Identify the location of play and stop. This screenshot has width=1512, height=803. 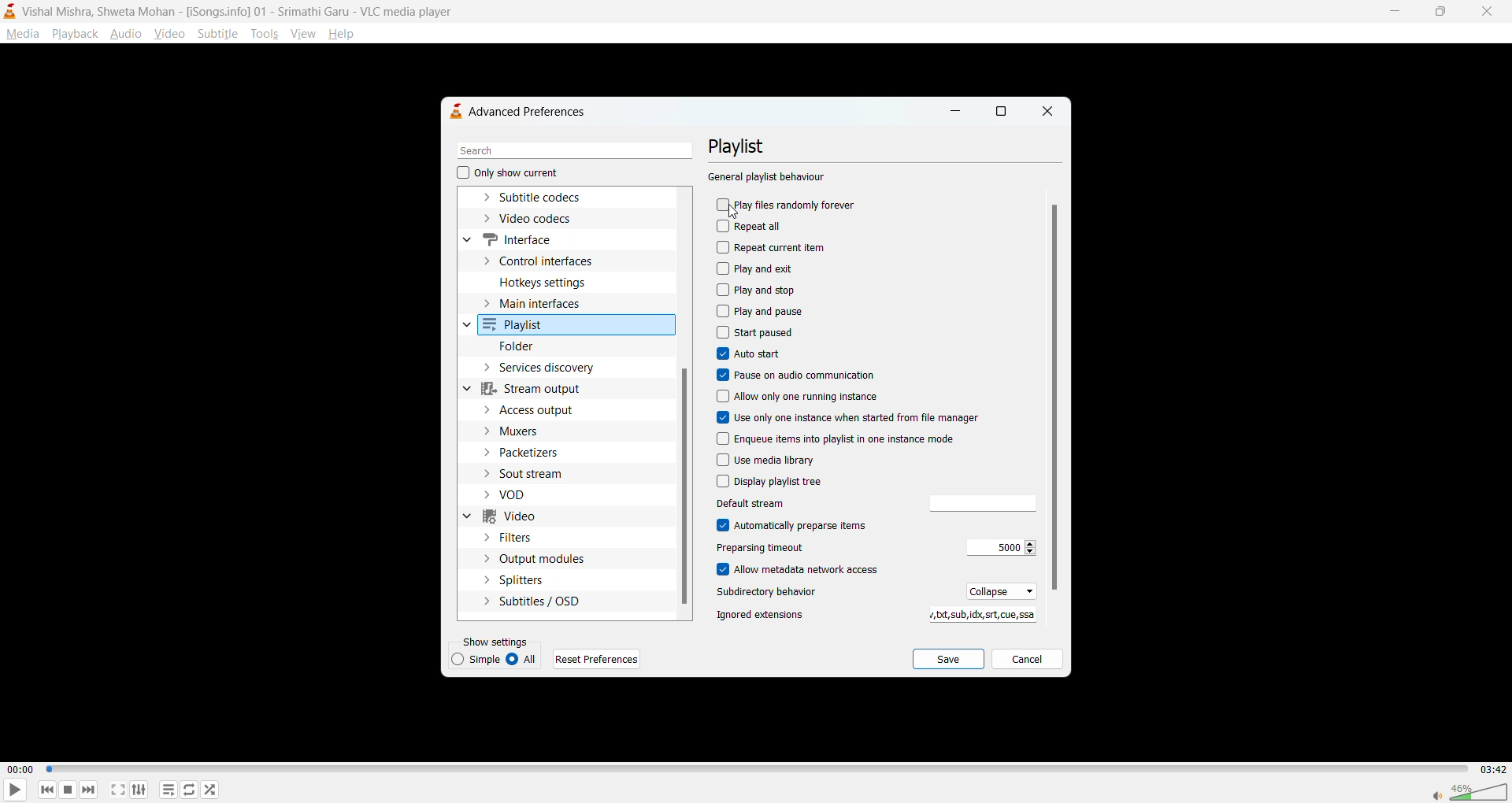
(759, 290).